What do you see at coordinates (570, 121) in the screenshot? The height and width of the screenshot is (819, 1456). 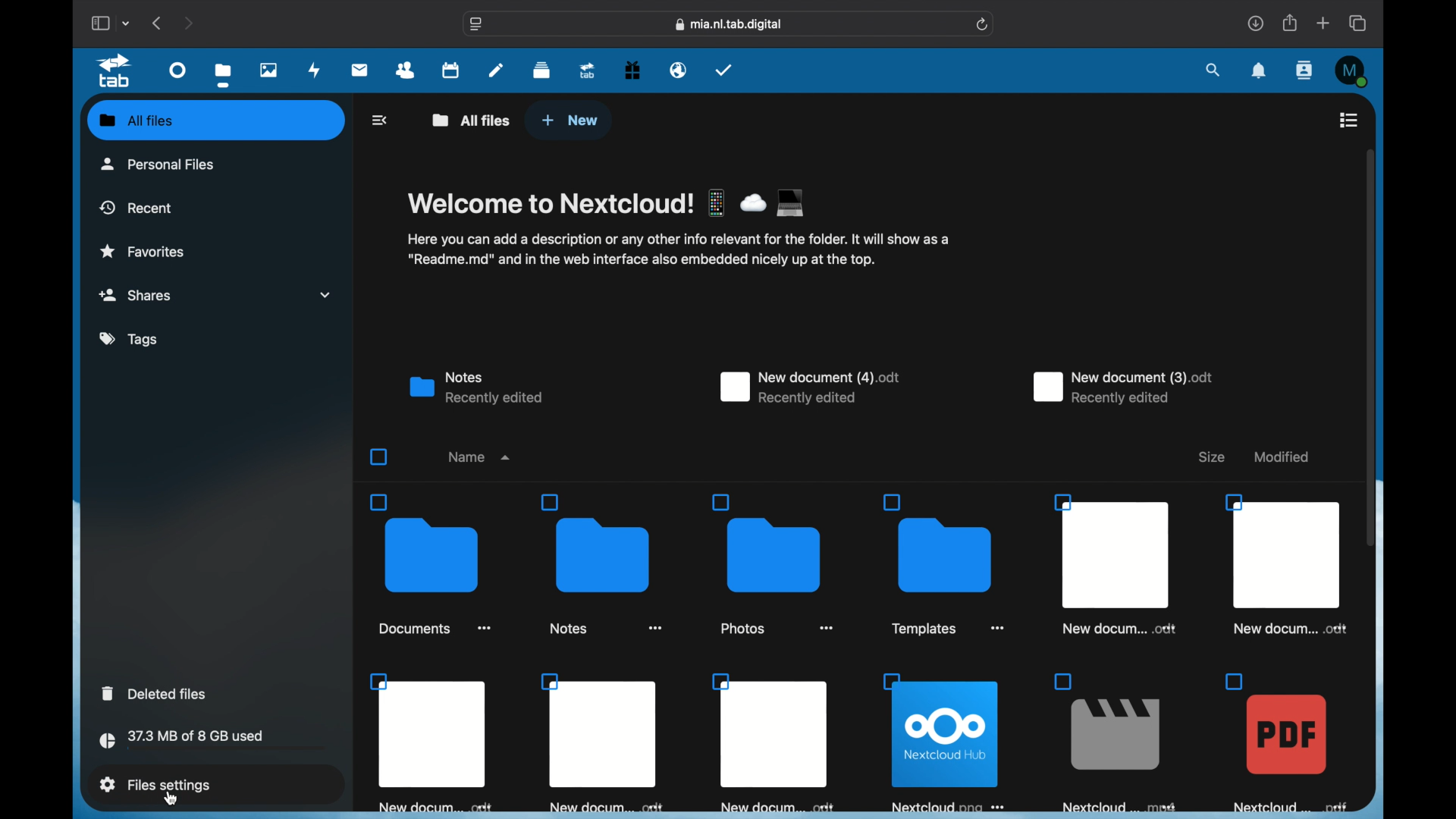 I see `new` at bounding box center [570, 121].